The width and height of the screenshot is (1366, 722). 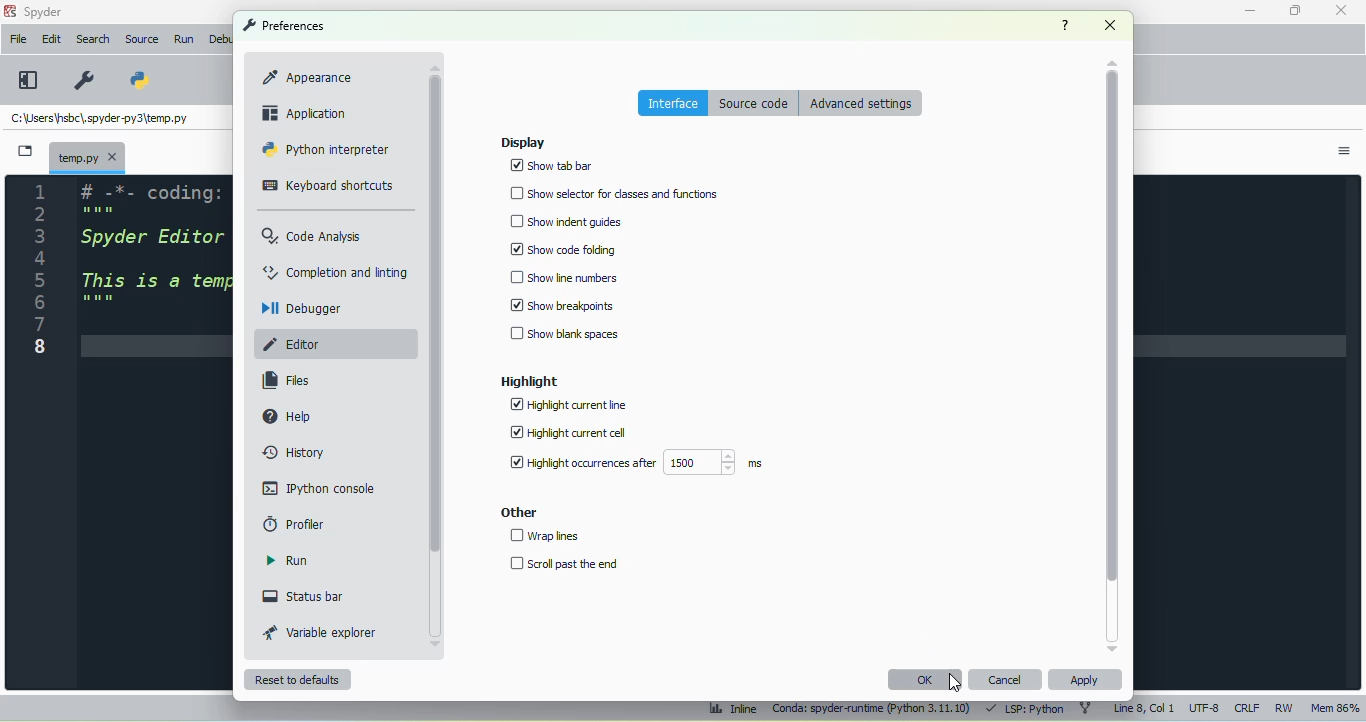 I want to click on advanced settings, so click(x=862, y=102).